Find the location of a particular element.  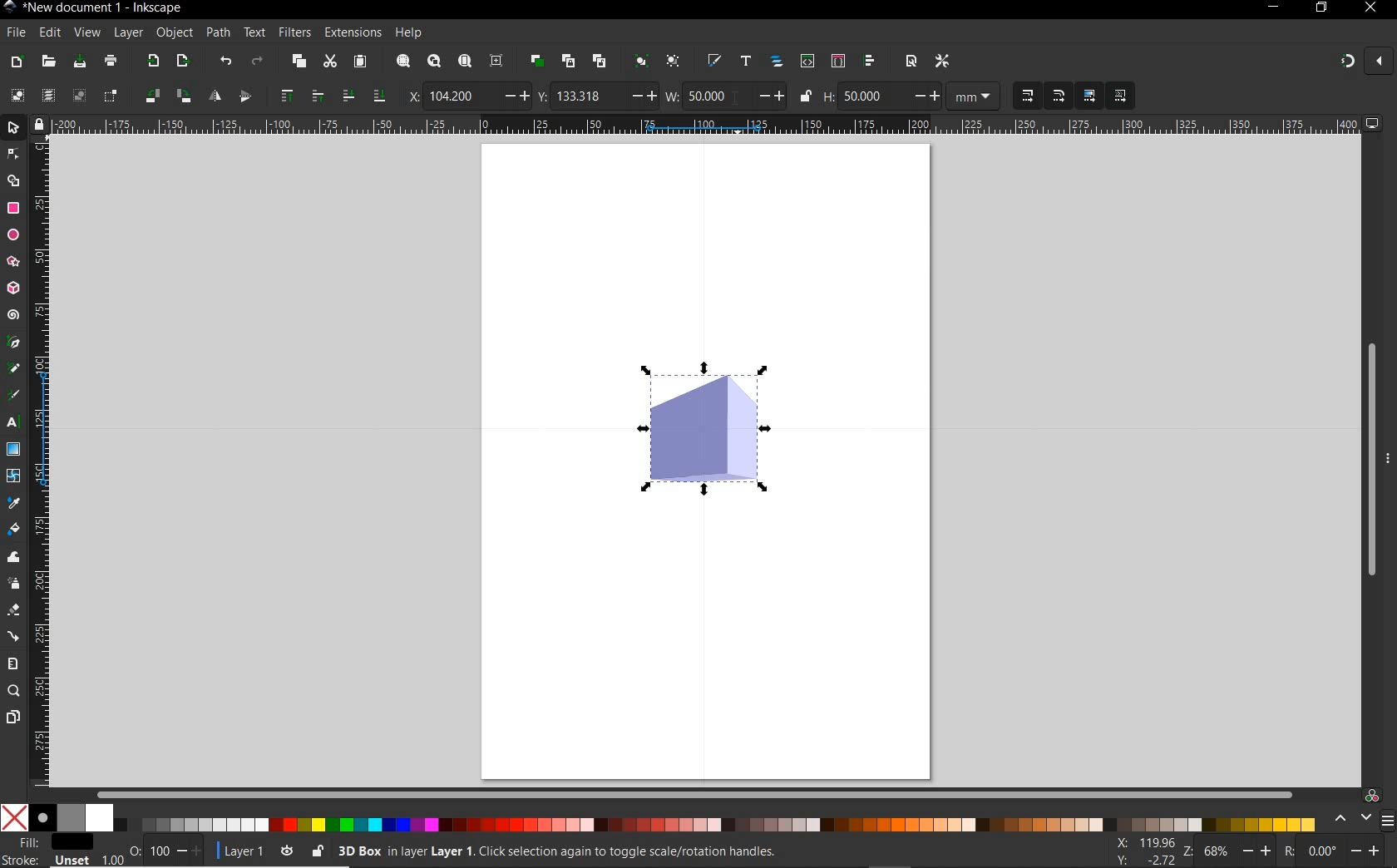

unlink clone is located at coordinates (598, 61).